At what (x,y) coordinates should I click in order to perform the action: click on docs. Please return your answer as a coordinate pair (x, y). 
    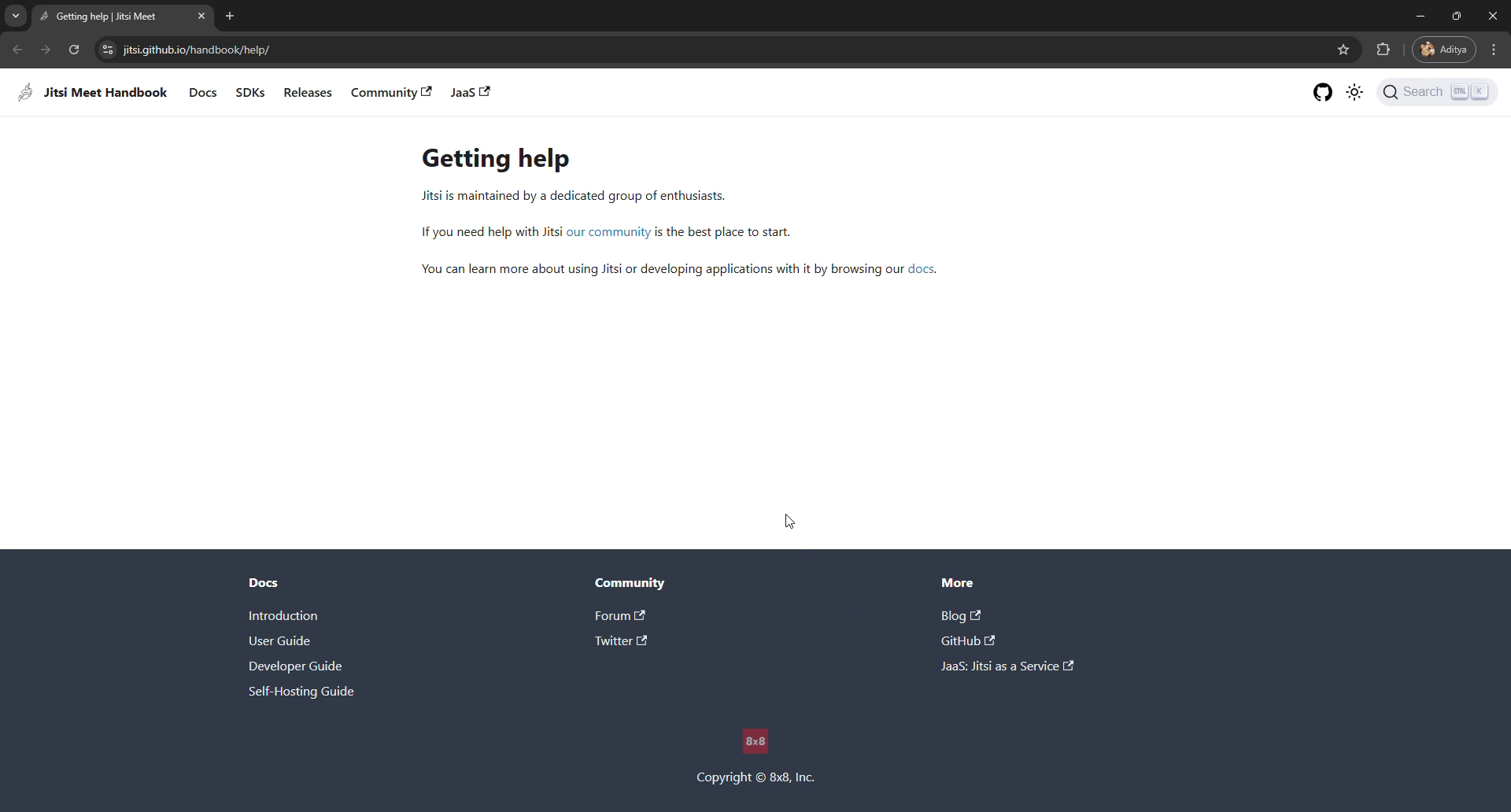
    Looking at the image, I should click on (204, 92).